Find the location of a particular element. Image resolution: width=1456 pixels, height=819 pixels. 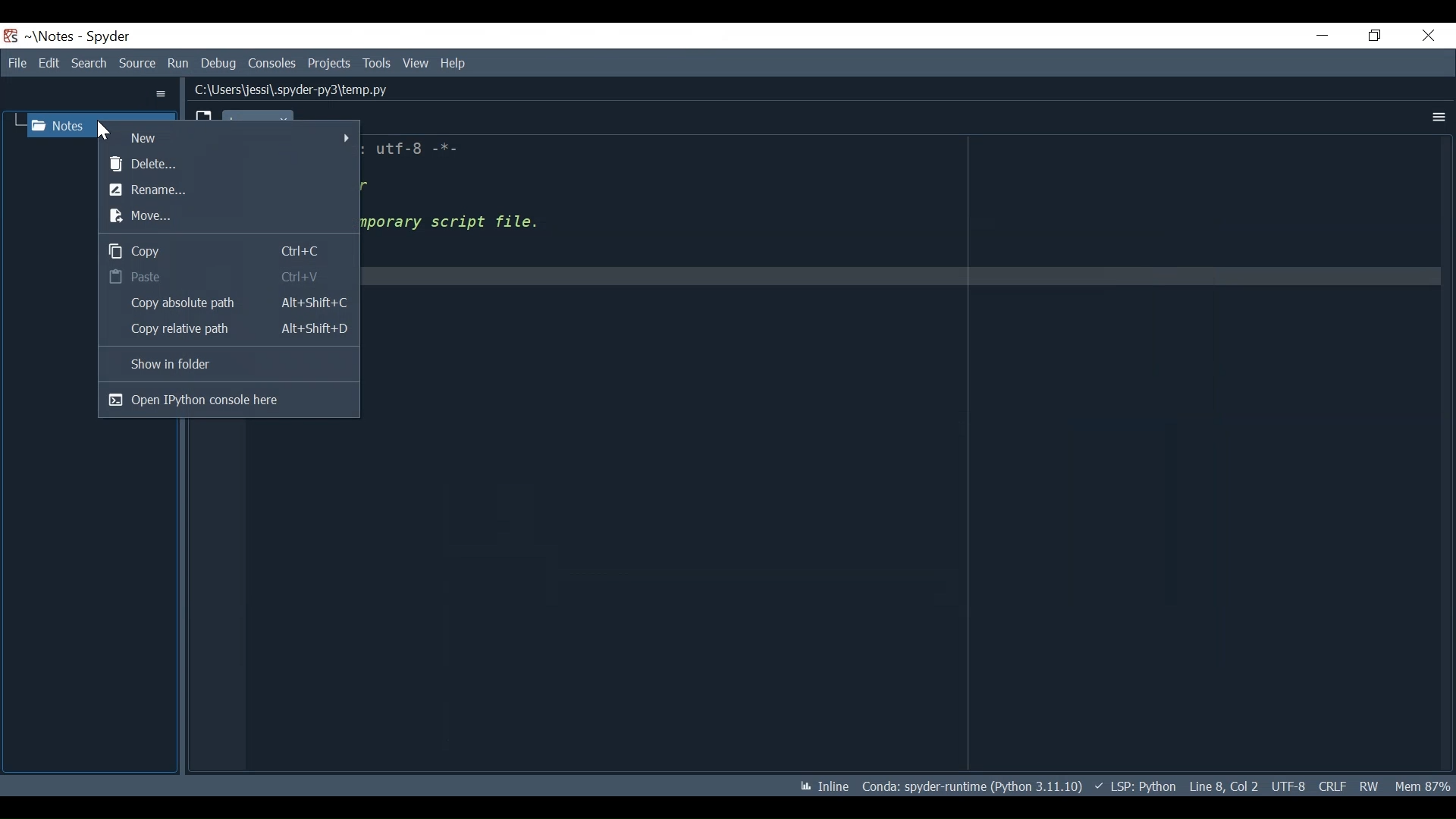

language is located at coordinates (1135, 786).